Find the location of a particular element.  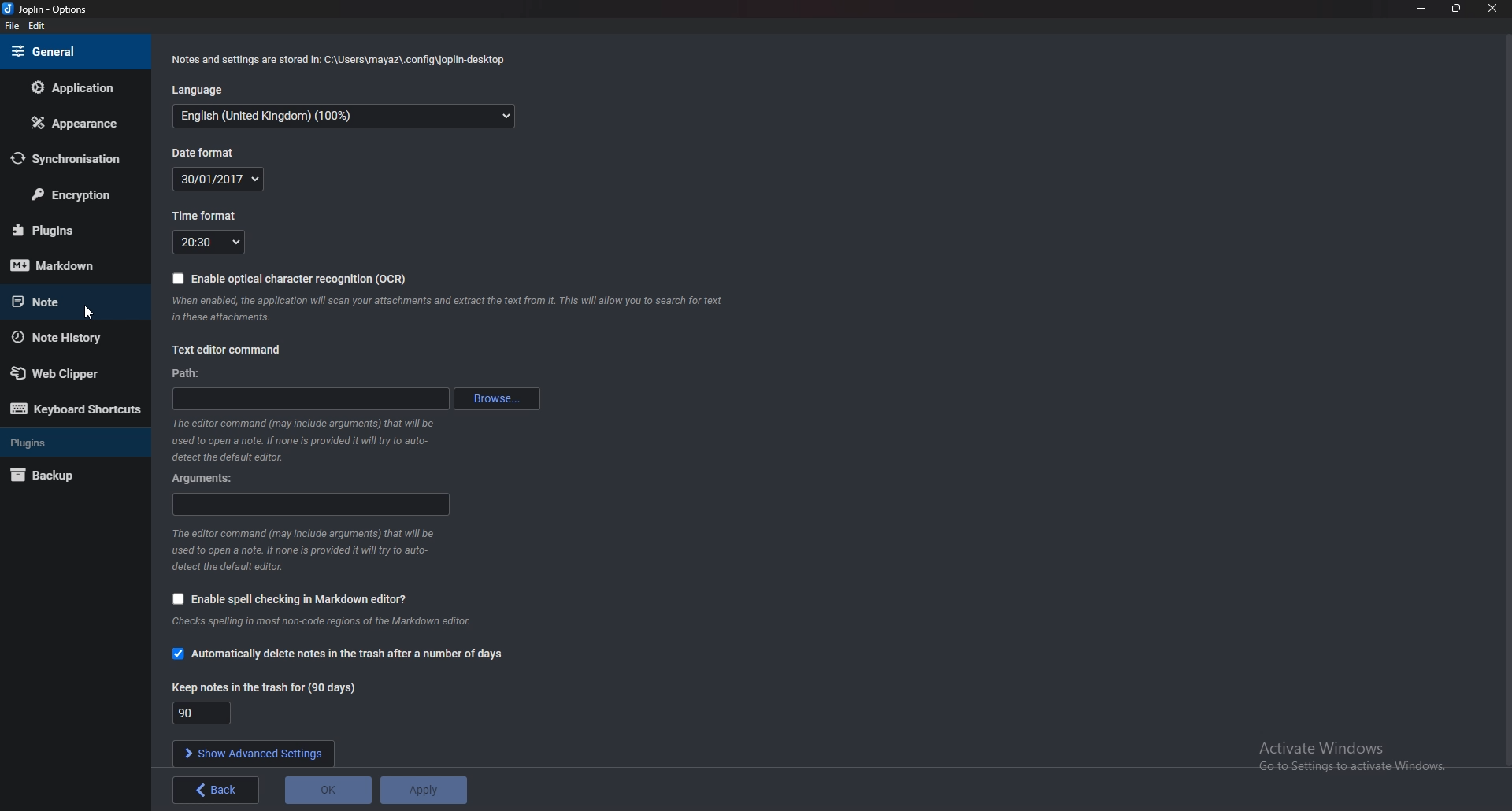

General is located at coordinates (65, 53).